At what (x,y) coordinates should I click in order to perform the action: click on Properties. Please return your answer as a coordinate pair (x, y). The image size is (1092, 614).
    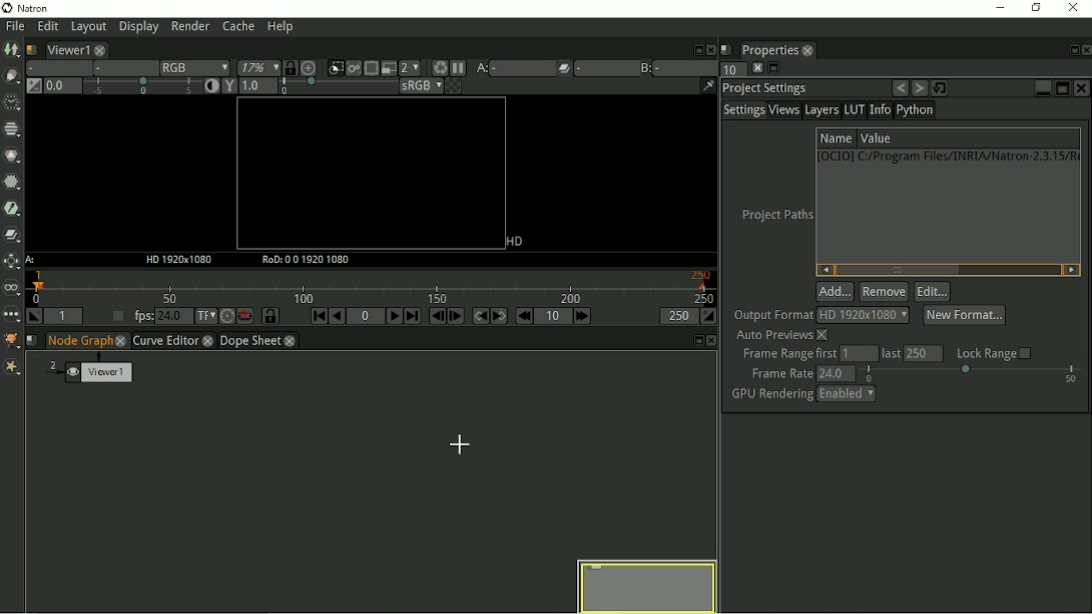
    Looking at the image, I should click on (775, 48).